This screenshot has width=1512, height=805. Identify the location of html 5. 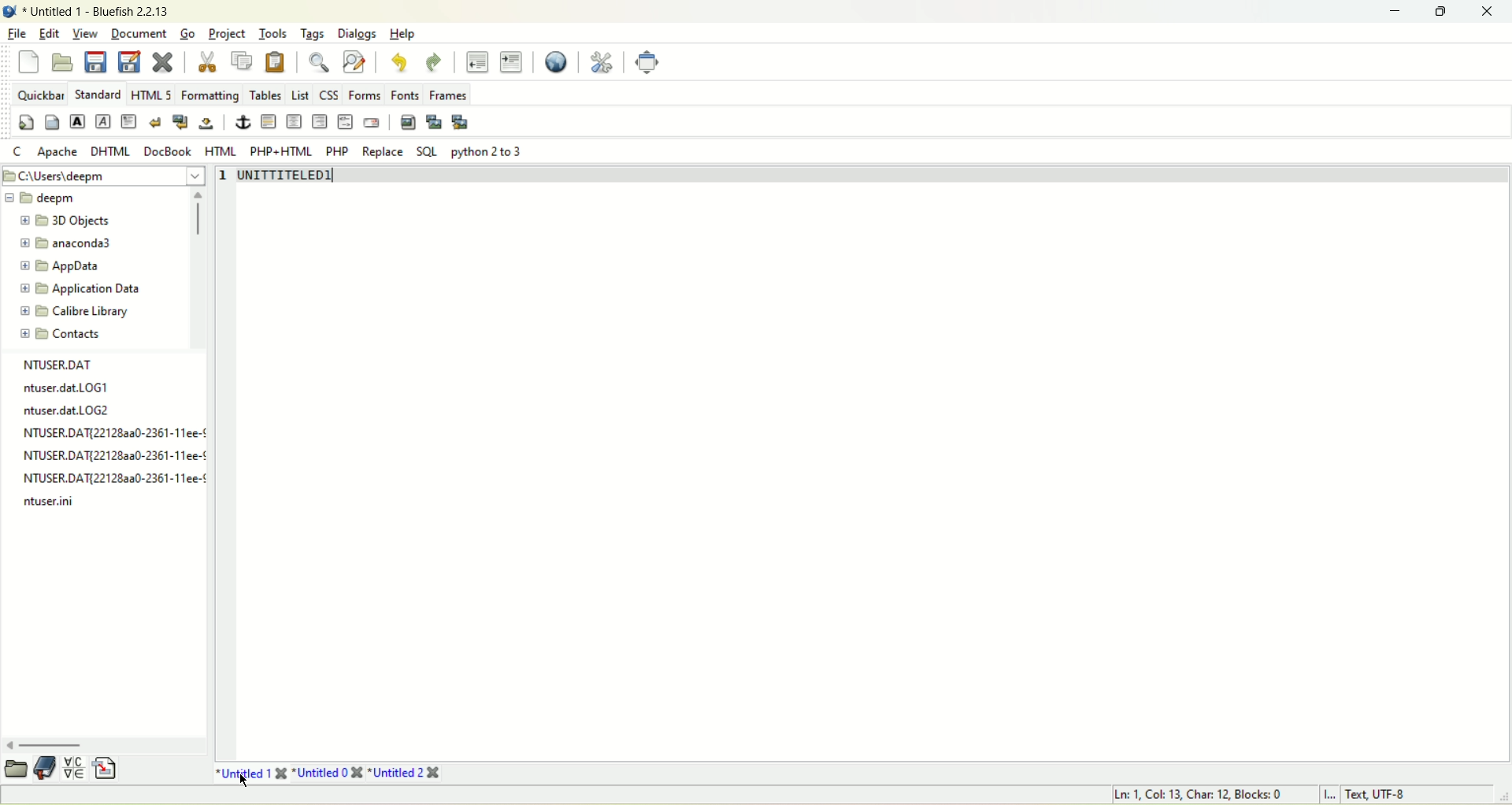
(150, 92).